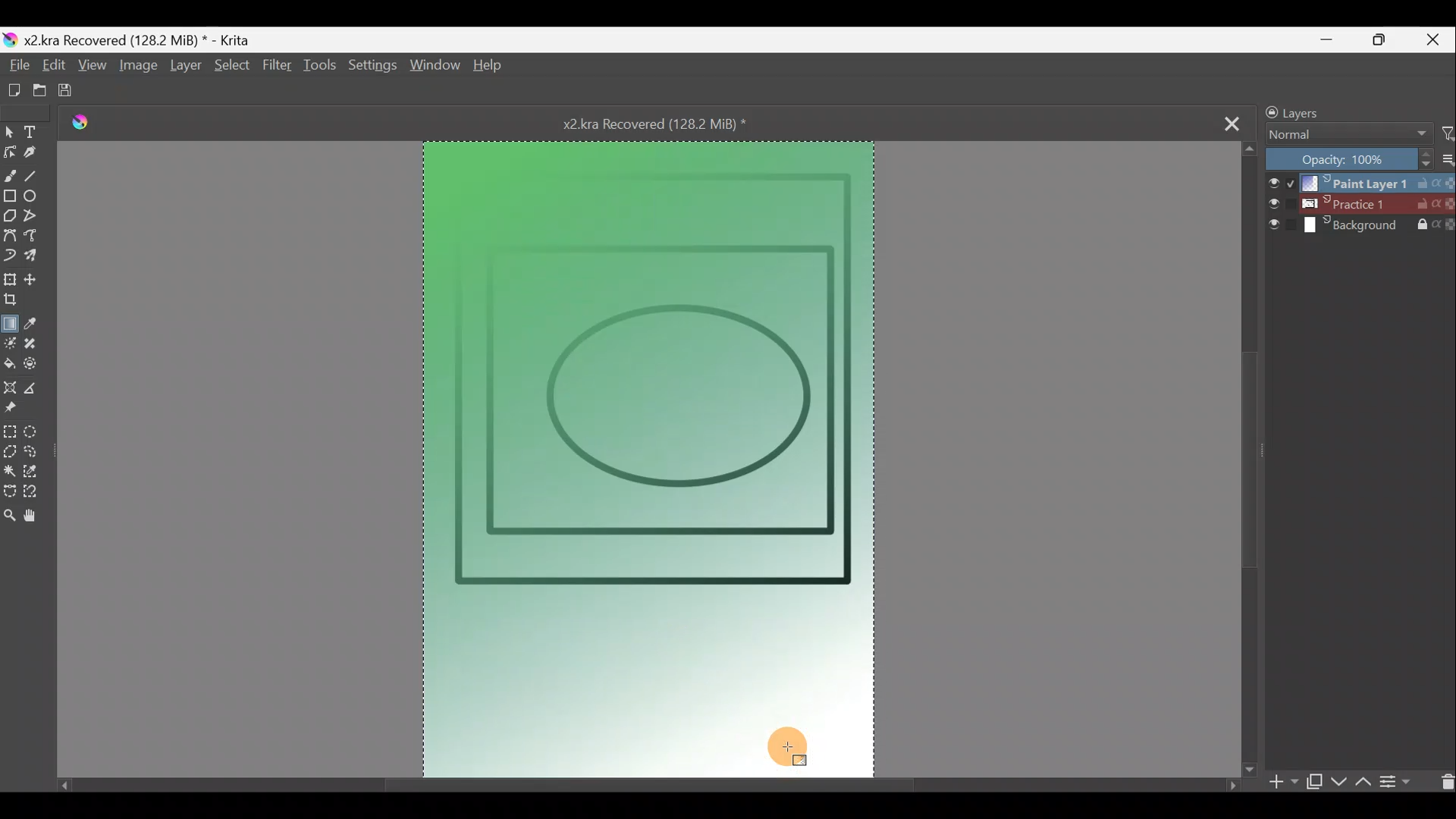  What do you see at coordinates (1361, 782) in the screenshot?
I see `Move layer/mask up` at bounding box center [1361, 782].